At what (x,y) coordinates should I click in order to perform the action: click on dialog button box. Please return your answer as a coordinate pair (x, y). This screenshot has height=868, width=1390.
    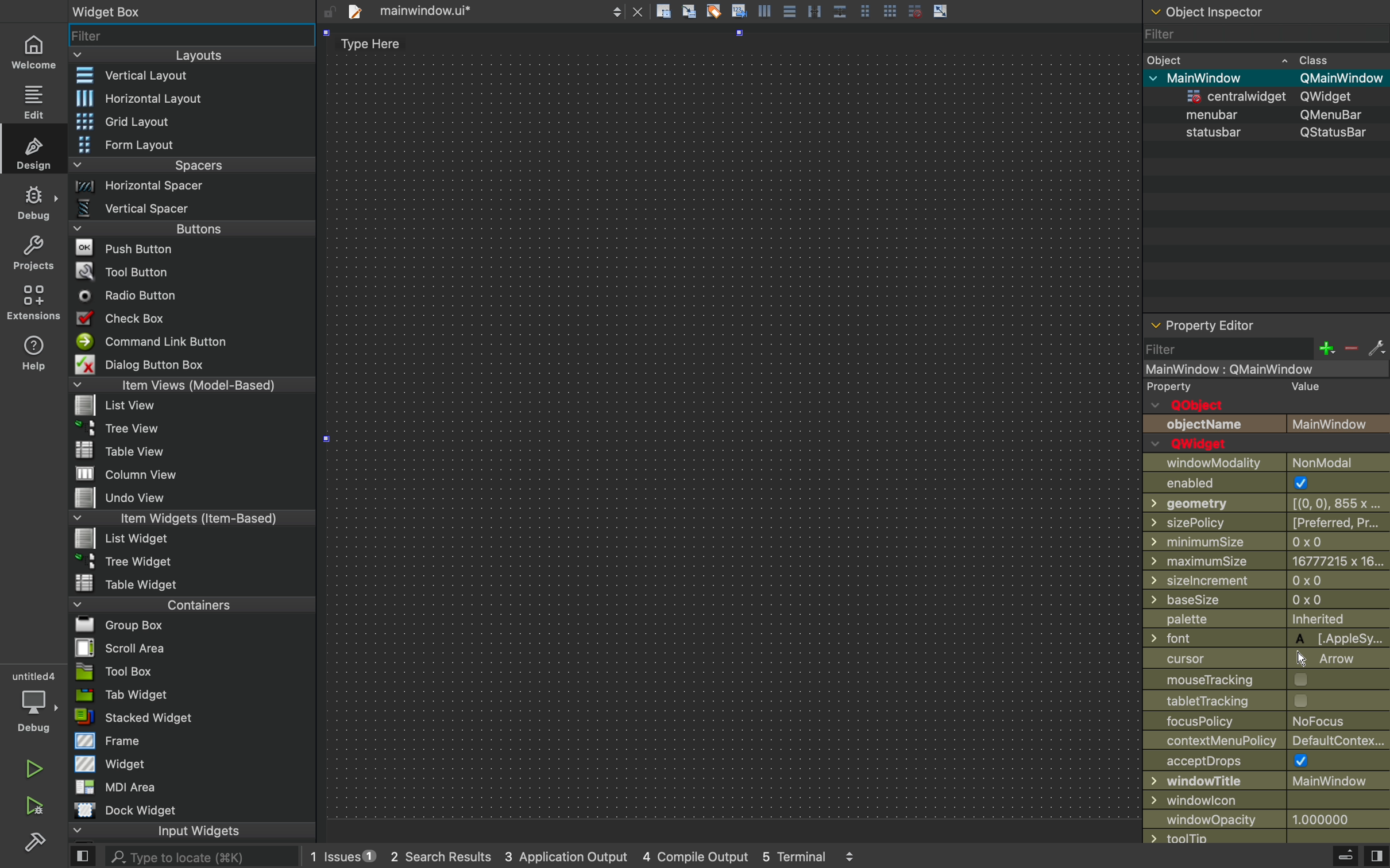
    Looking at the image, I should click on (190, 364).